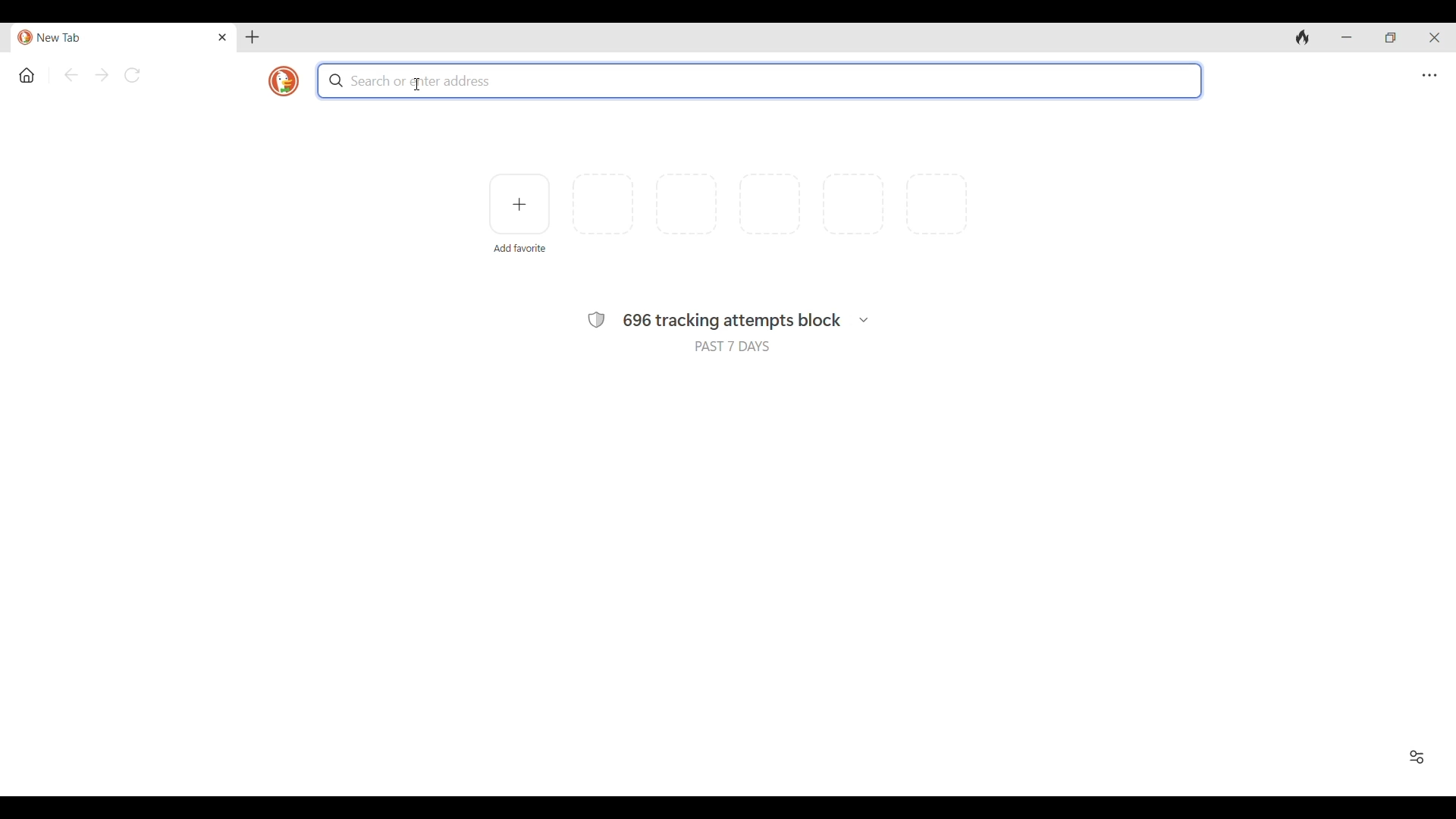 The width and height of the screenshot is (1456, 819). Describe the element at coordinates (1391, 37) in the screenshot. I see `Show interface in a smaller tab` at that location.